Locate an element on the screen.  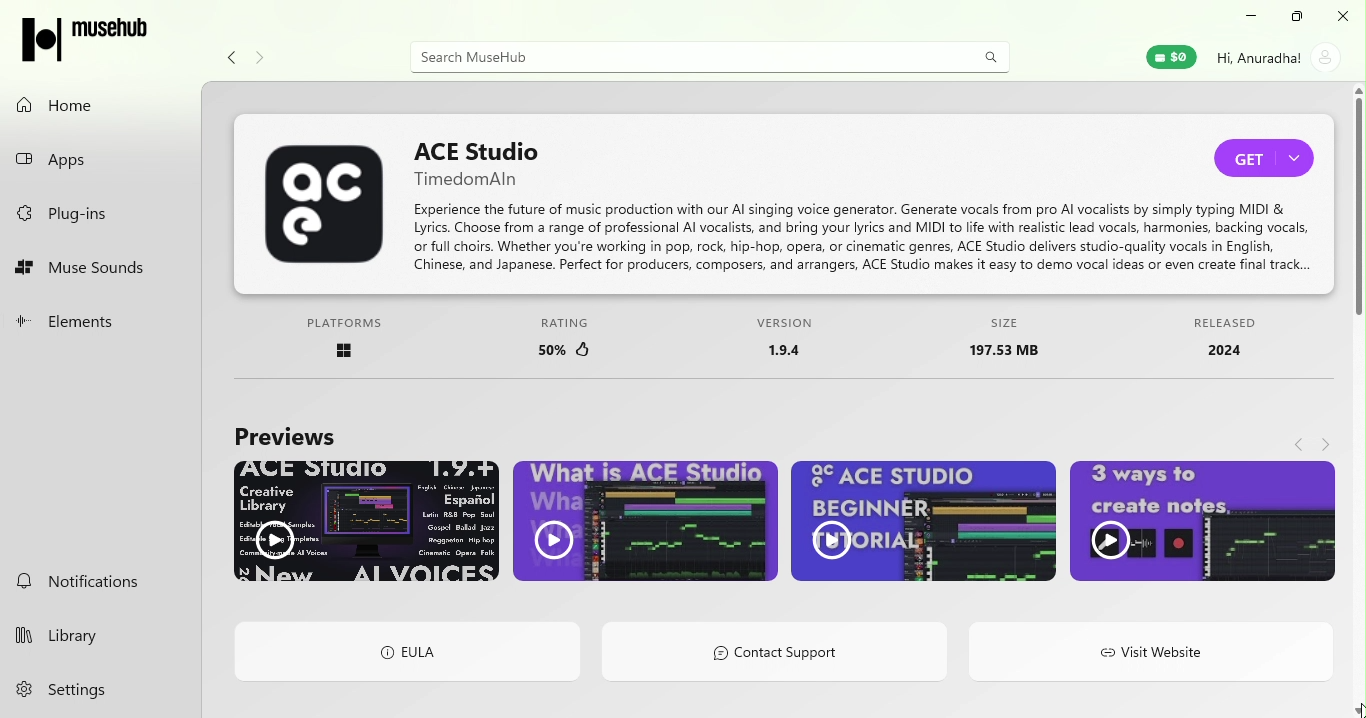
settings is located at coordinates (80, 691).